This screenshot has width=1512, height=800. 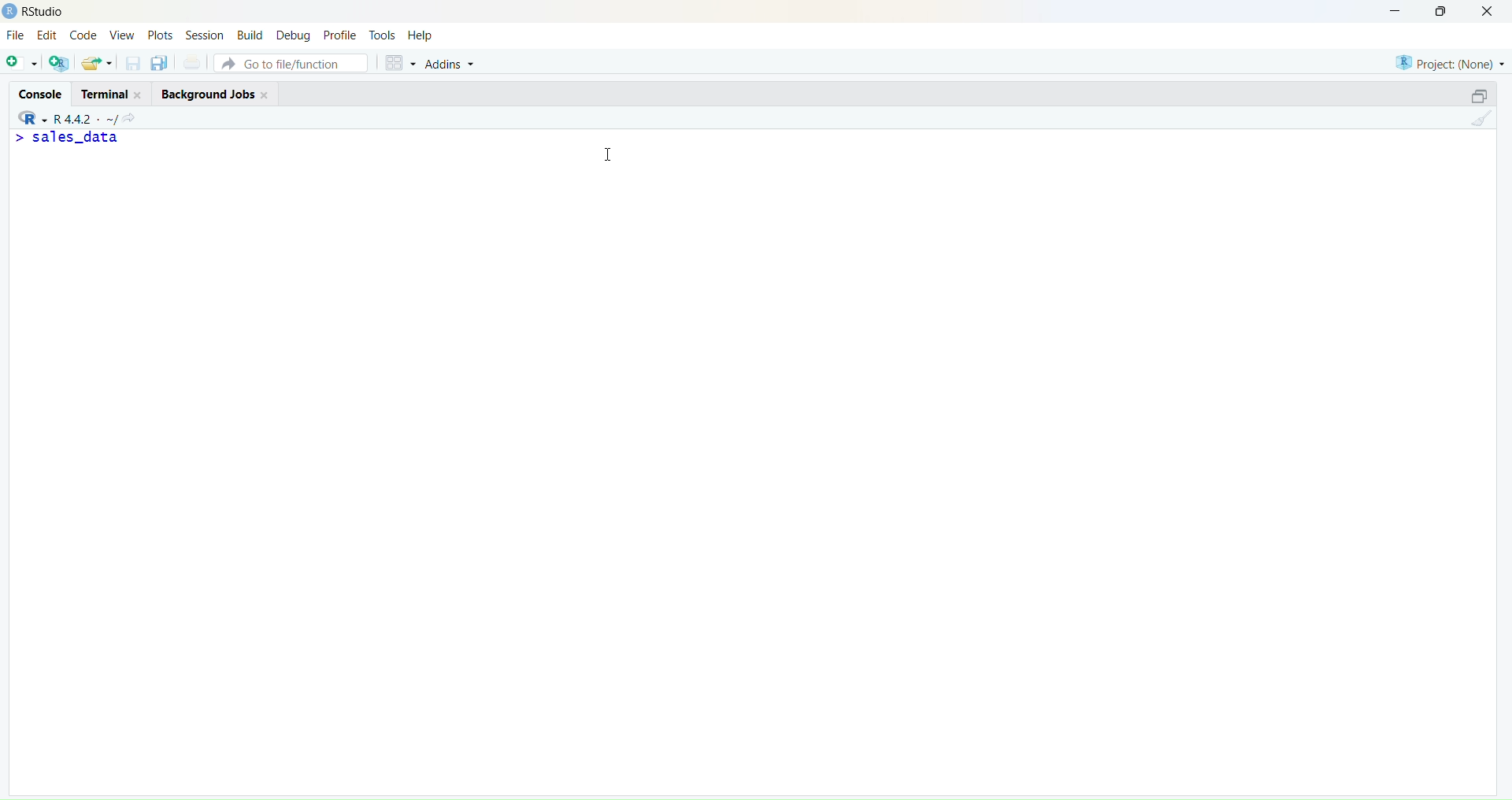 I want to click on View, so click(x=124, y=36).